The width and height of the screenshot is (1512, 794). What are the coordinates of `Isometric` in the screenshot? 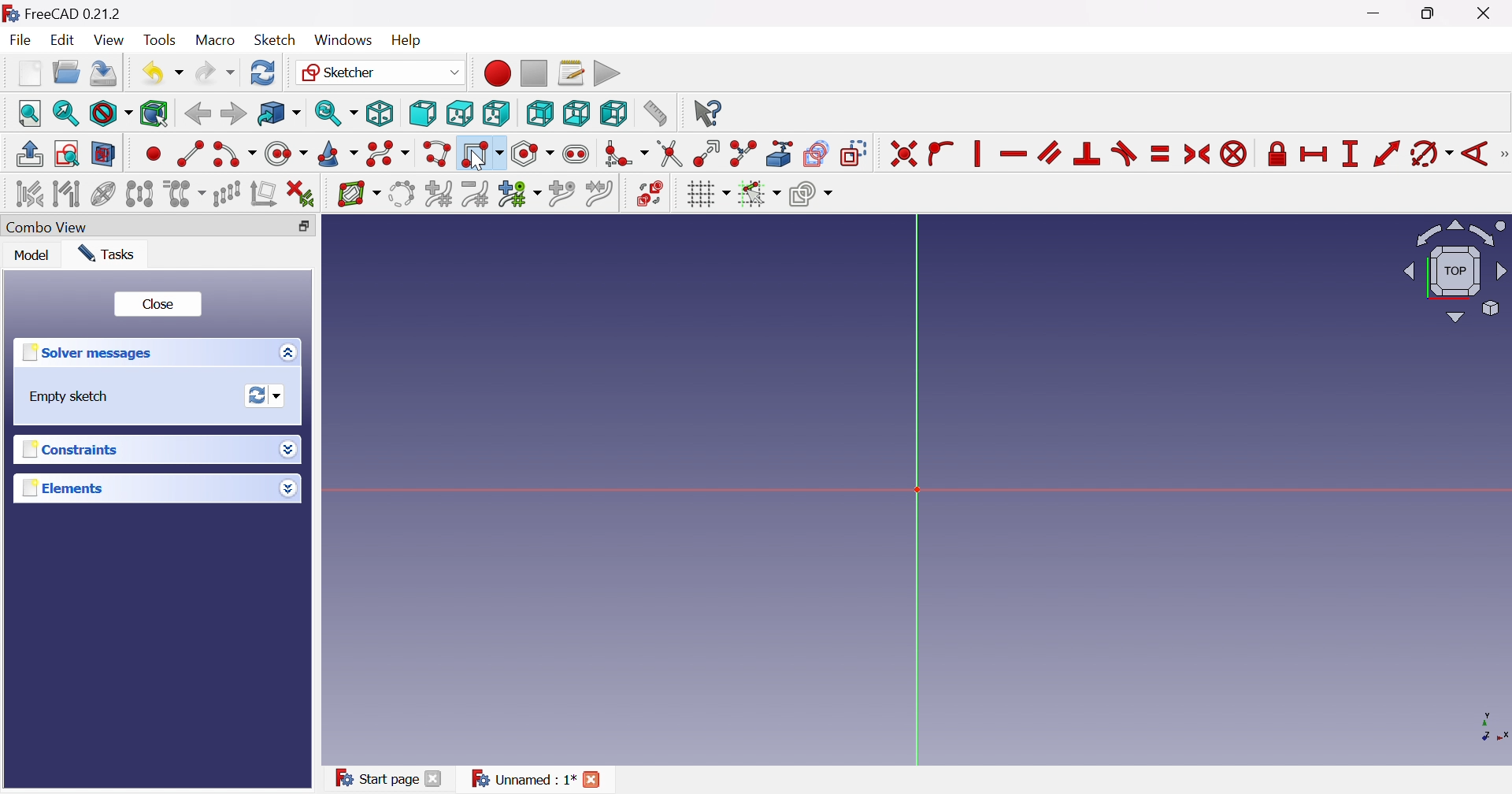 It's located at (380, 113).